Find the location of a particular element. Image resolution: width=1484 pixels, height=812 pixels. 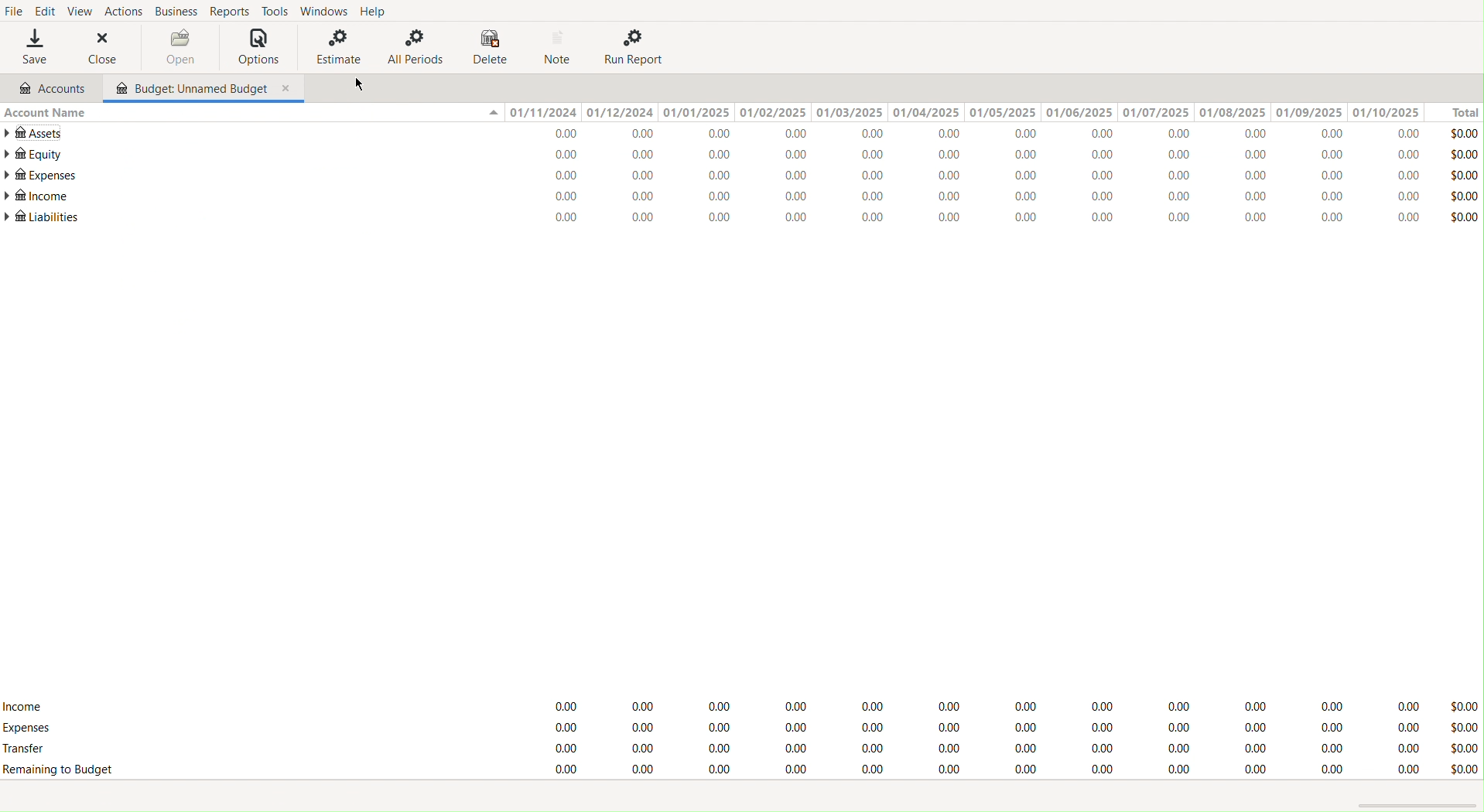

Estimate is located at coordinates (338, 48).